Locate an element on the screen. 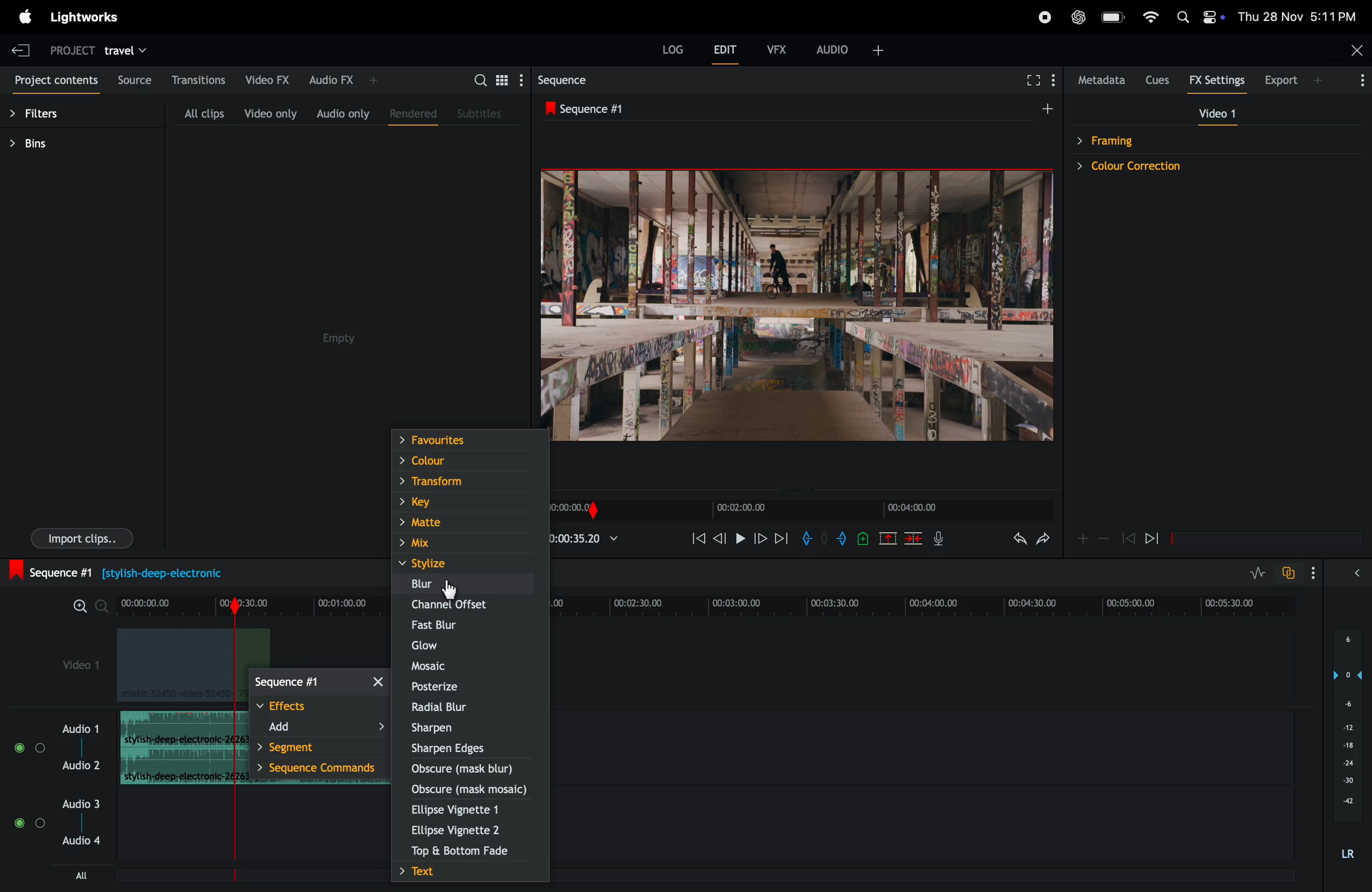 The height and width of the screenshot is (892, 1372). wifi is located at coordinates (1151, 16).